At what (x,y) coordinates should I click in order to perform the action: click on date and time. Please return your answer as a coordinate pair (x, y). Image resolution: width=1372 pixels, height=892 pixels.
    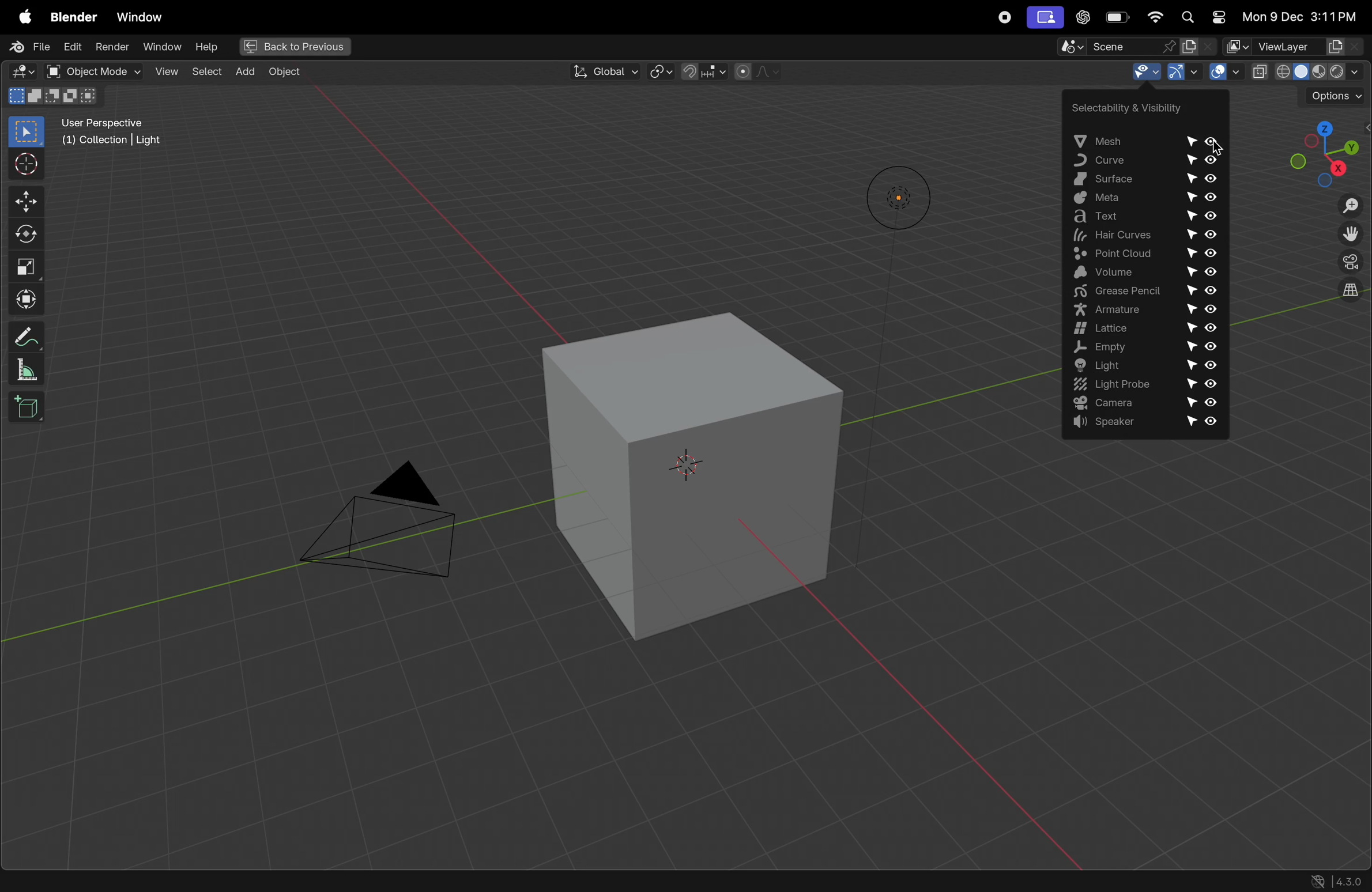
    Looking at the image, I should click on (1299, 16).